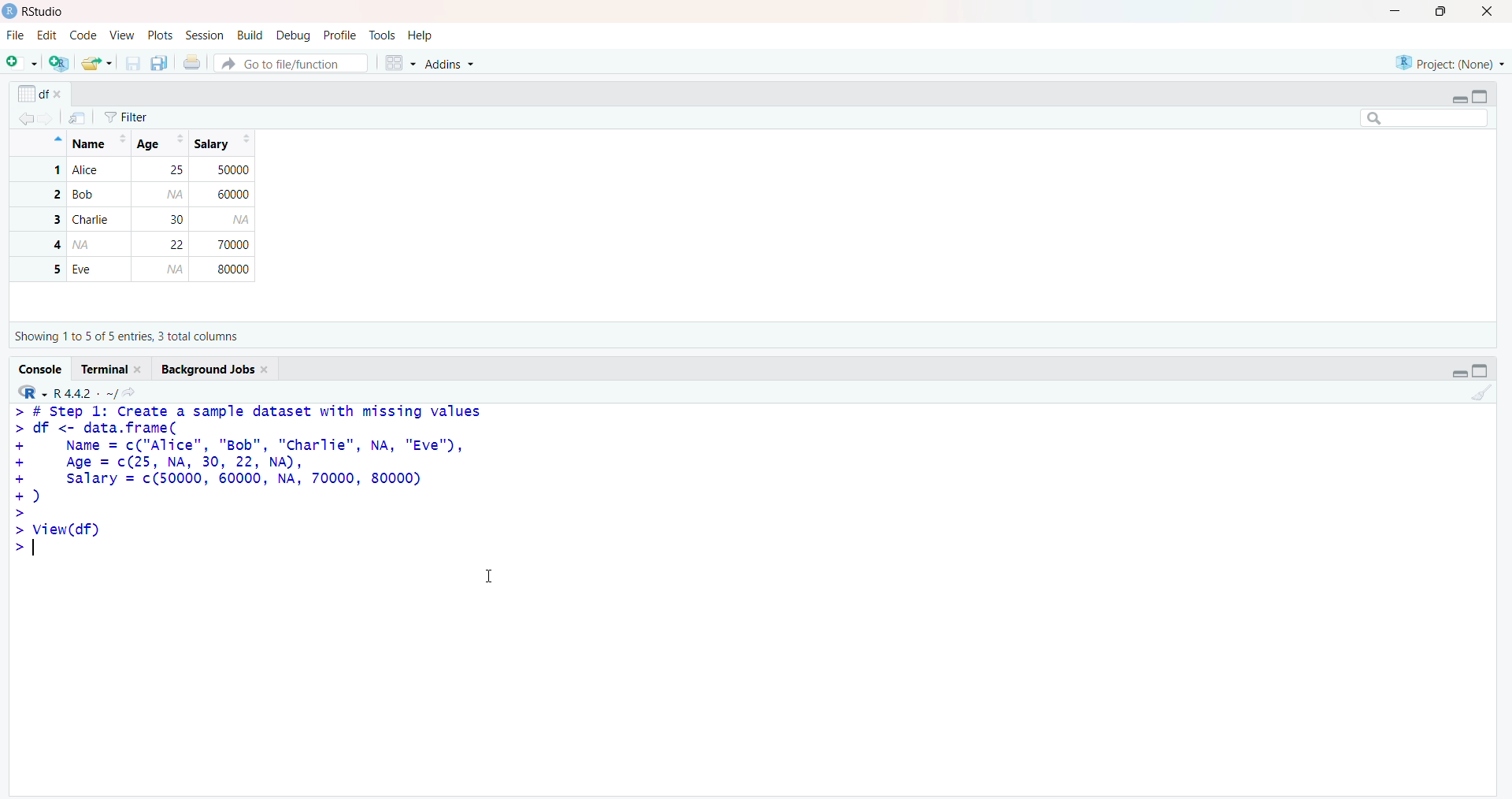  I want to click on 1 Alice 25 50000
2 Bob 60000
3 Charlie 30

4 2 70000
5 Eve 80000, so click(135, 221).